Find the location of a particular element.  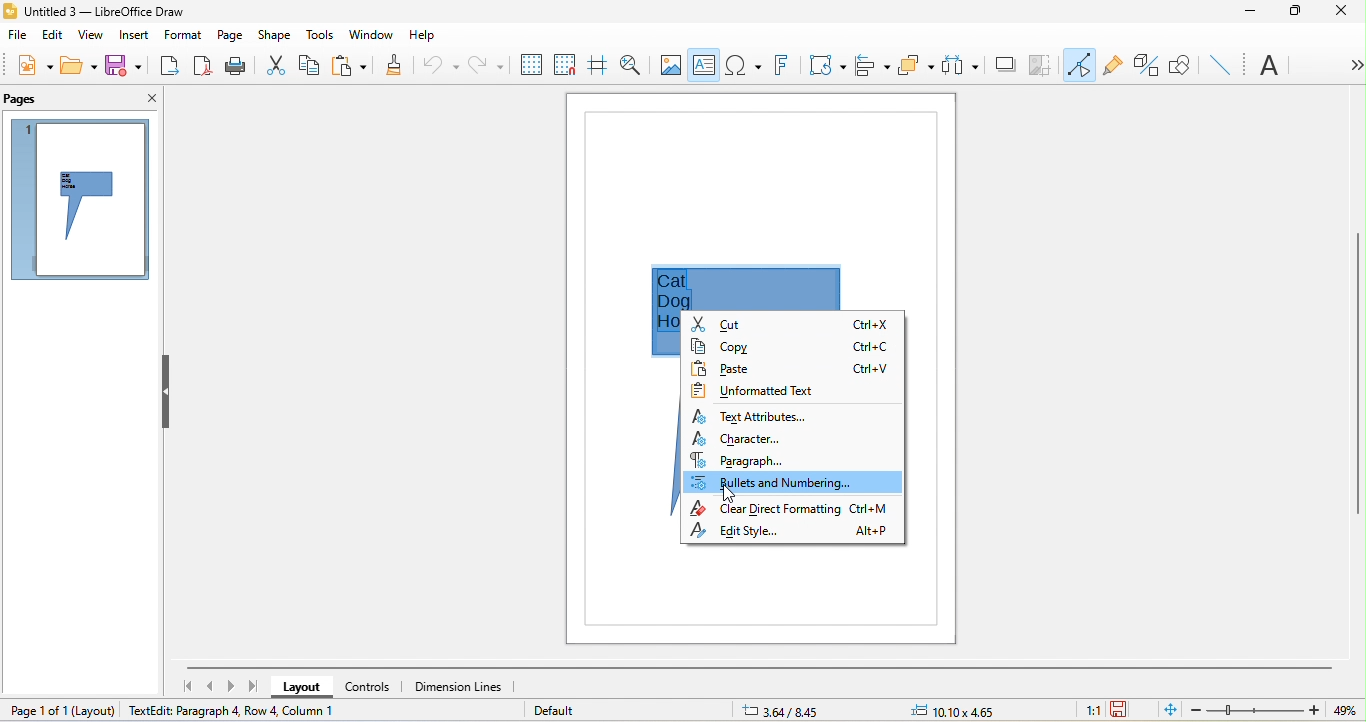

undo is located at coordinates (438, 63).